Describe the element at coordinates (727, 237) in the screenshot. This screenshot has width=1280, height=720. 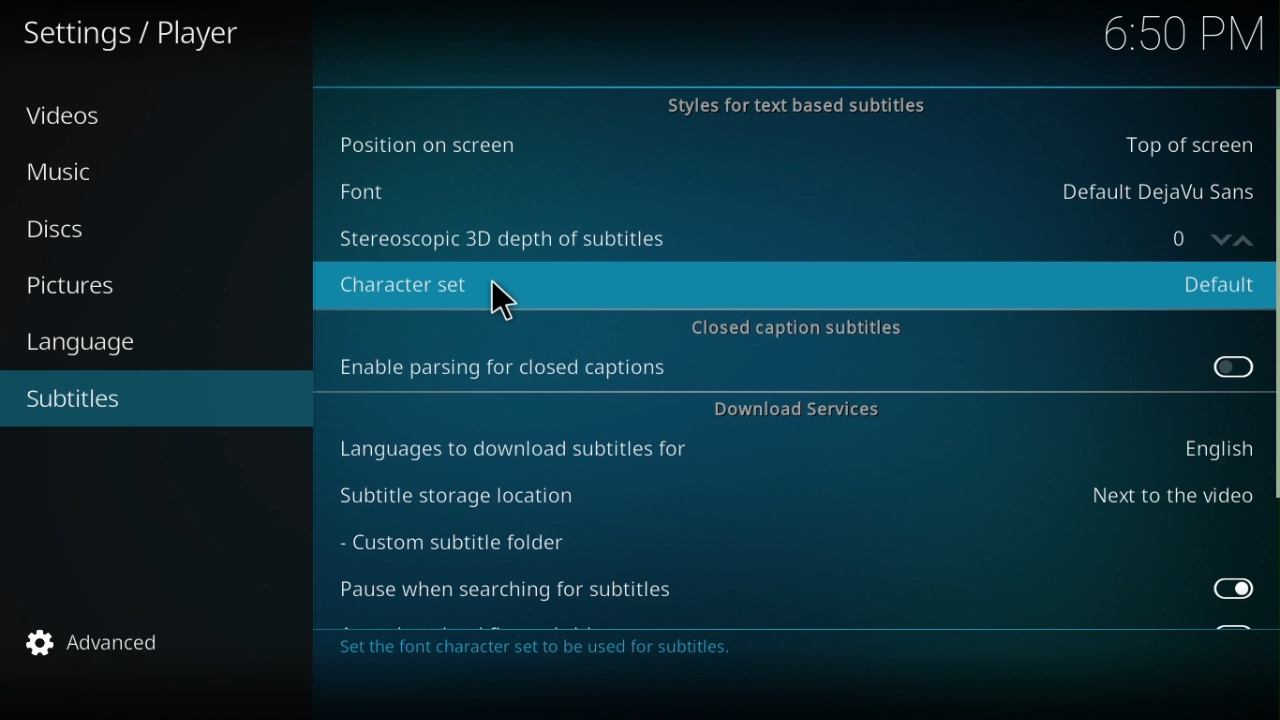
I see `Stereoscopic 3D depth of subtiles` at that location.